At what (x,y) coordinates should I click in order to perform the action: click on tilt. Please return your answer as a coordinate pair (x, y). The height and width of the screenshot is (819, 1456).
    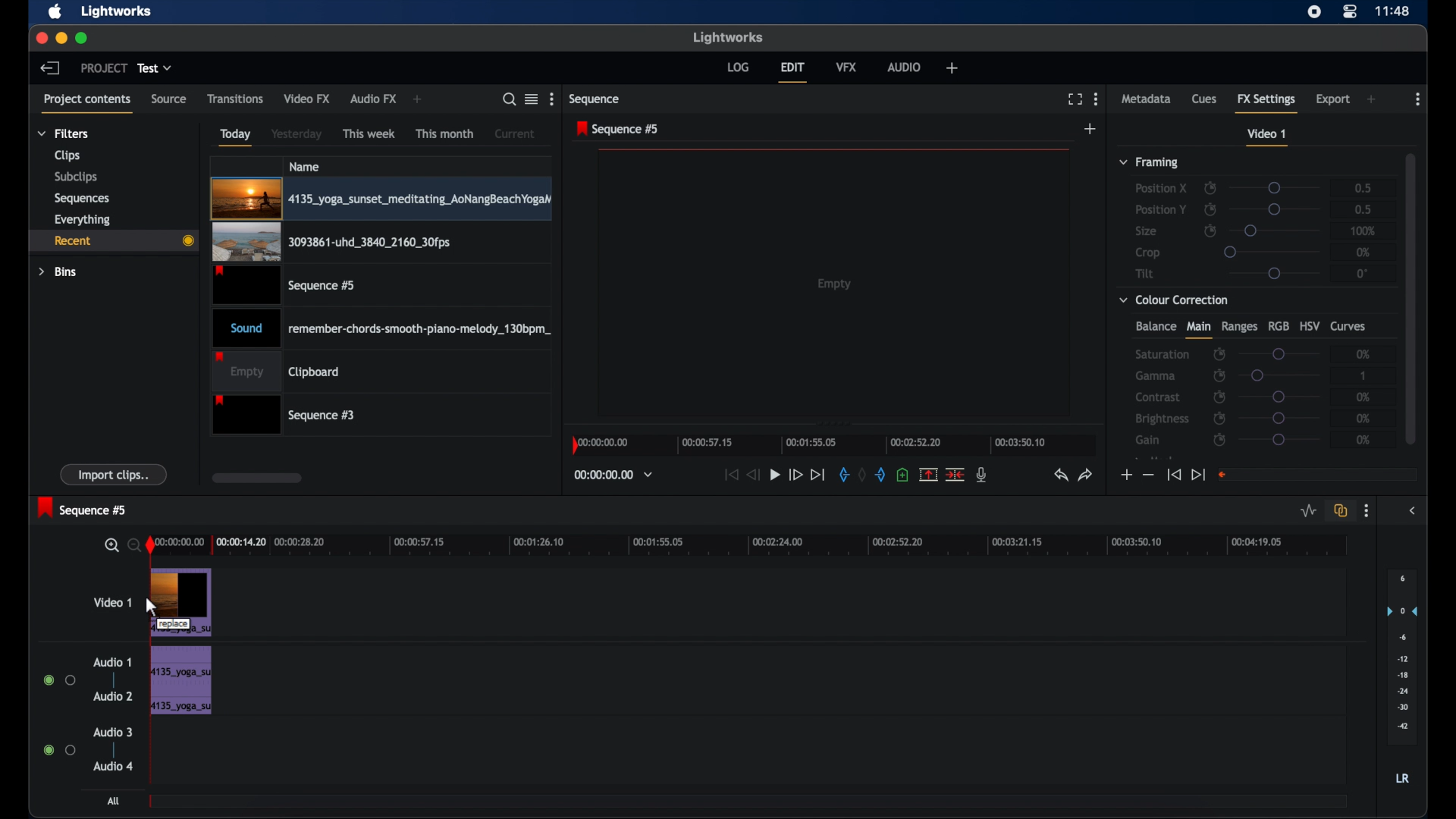
    Looking at the image, I should click on (1145, 274).